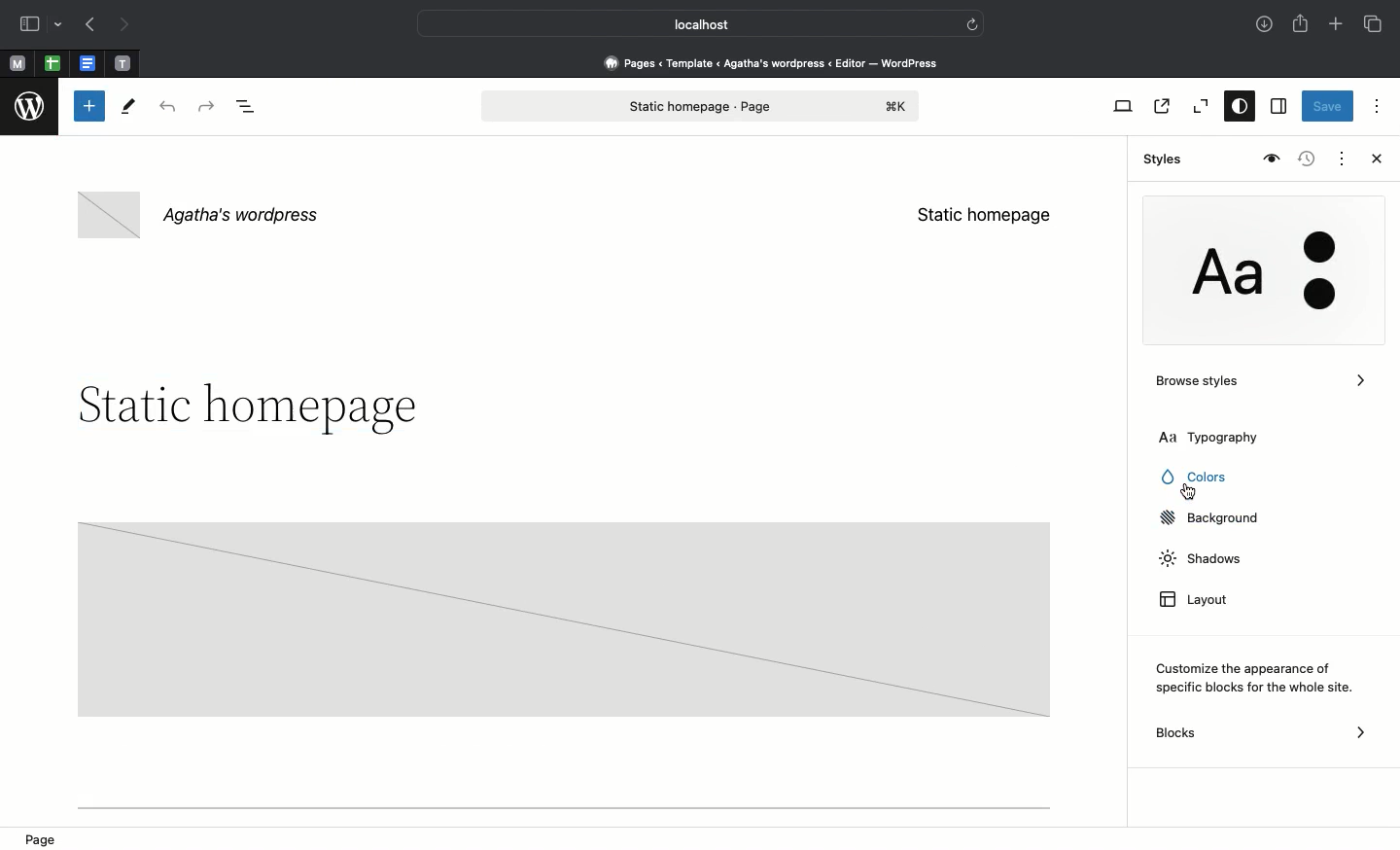 Image resolution: width=1400 pixels, height=850 pixels. I want to click on Tools, so click(129, 111).